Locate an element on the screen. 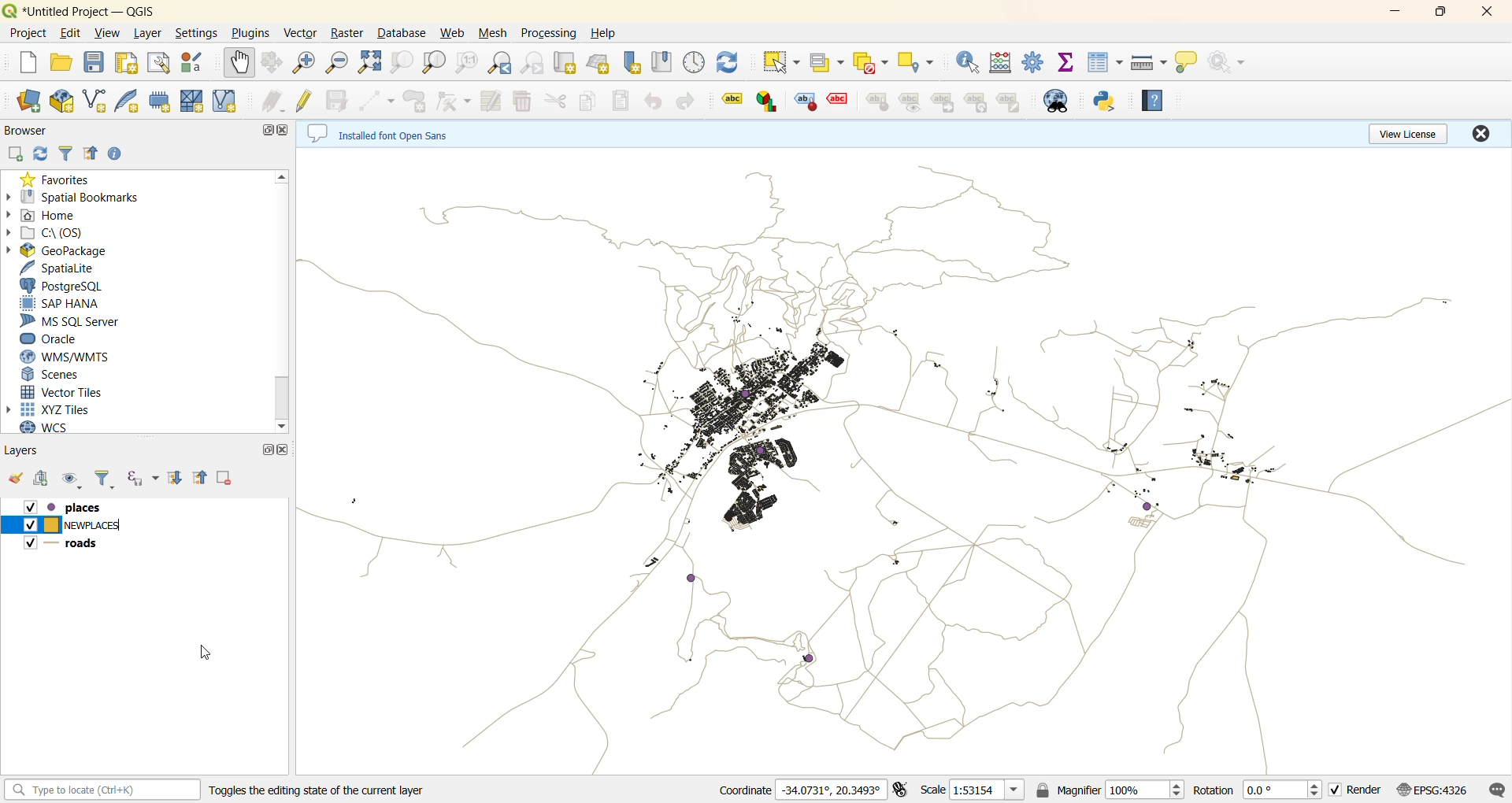 The image size is (1512, 803). python is located at coordinates (1105, 102).